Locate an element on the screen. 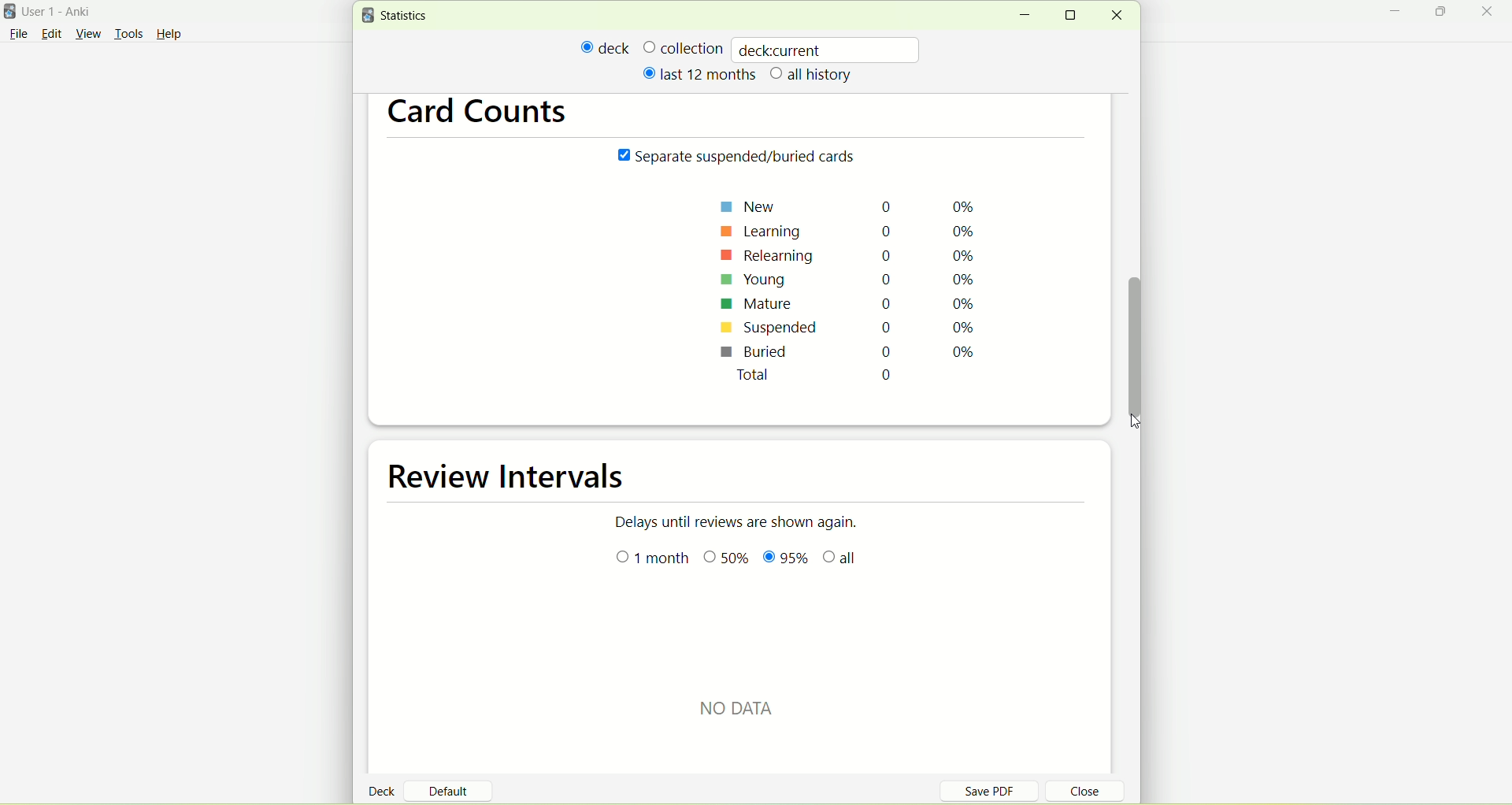 This screenshot has width=1512, height=805. card counts is located at coordinates (486, 115).